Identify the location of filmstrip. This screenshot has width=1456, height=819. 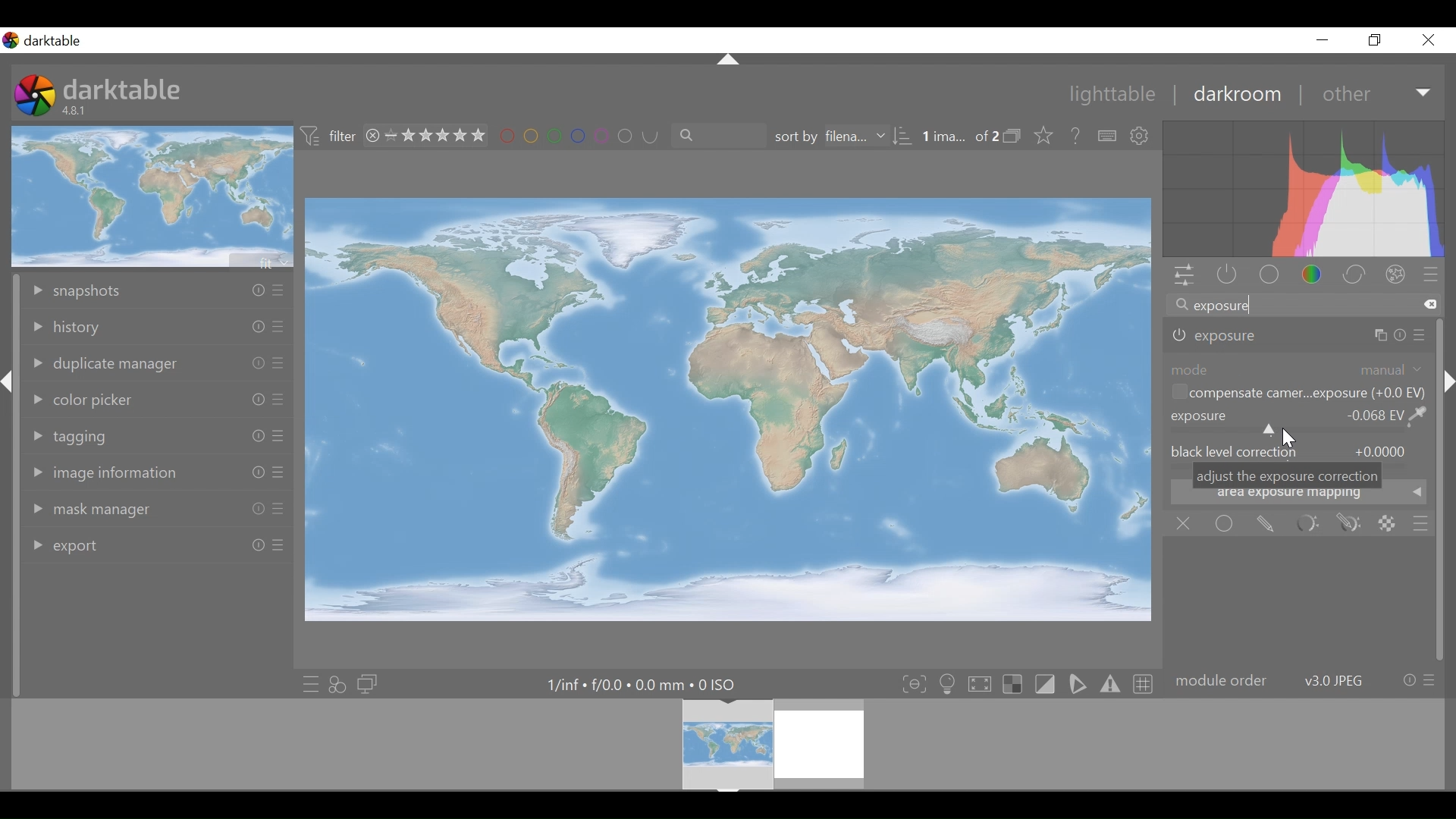
(726, 744).